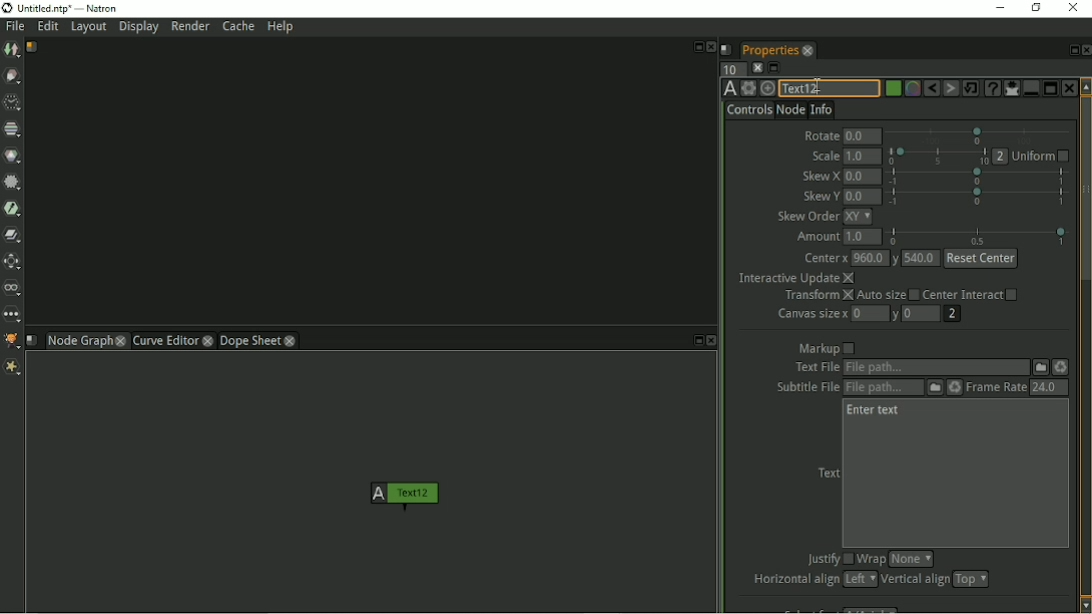  Describe the element at coordinates (951, 314) in the screenshot. I see `2` at that location.